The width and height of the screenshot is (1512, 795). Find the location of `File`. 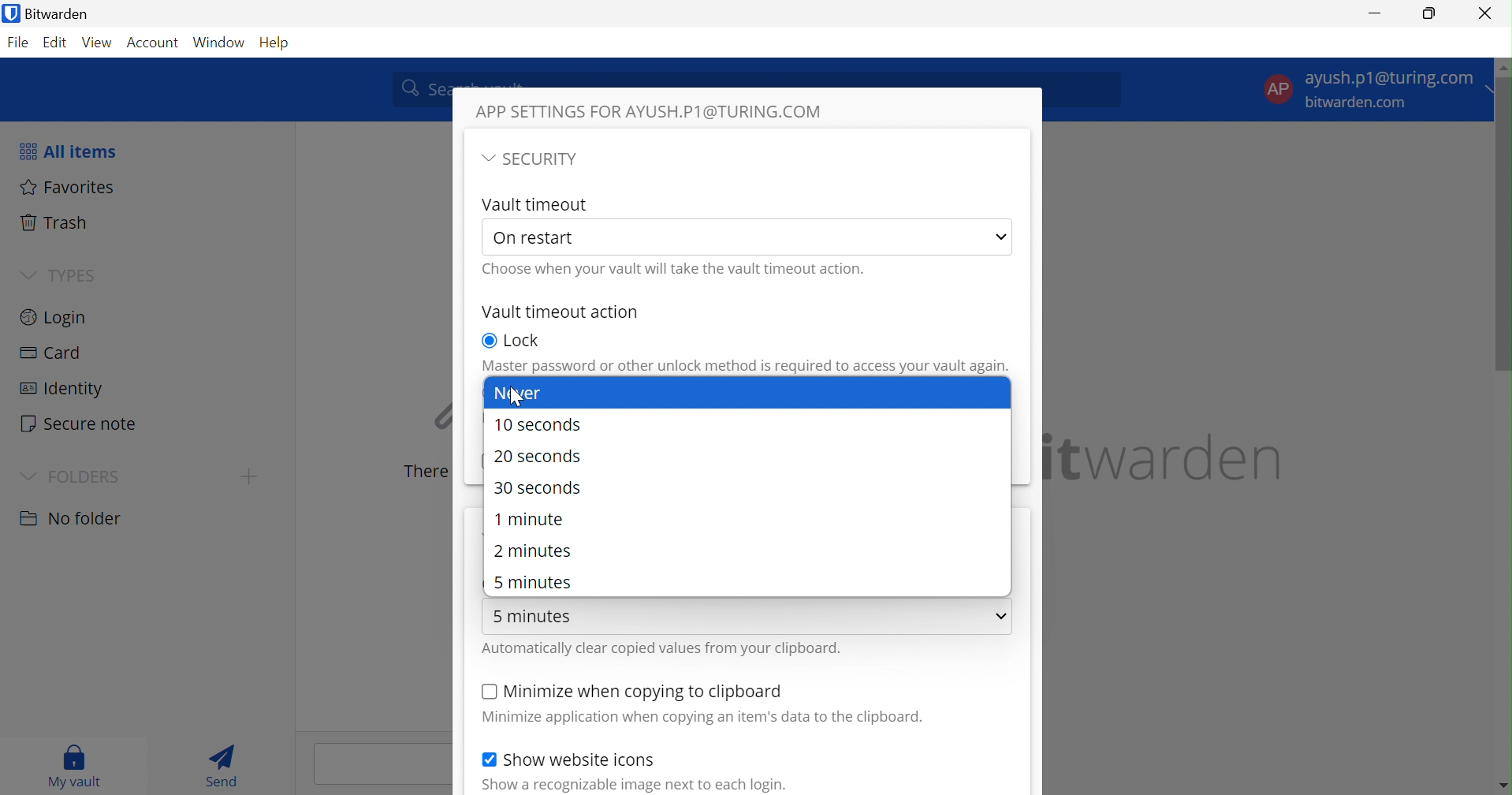

File is located at coordinates (18, 44).